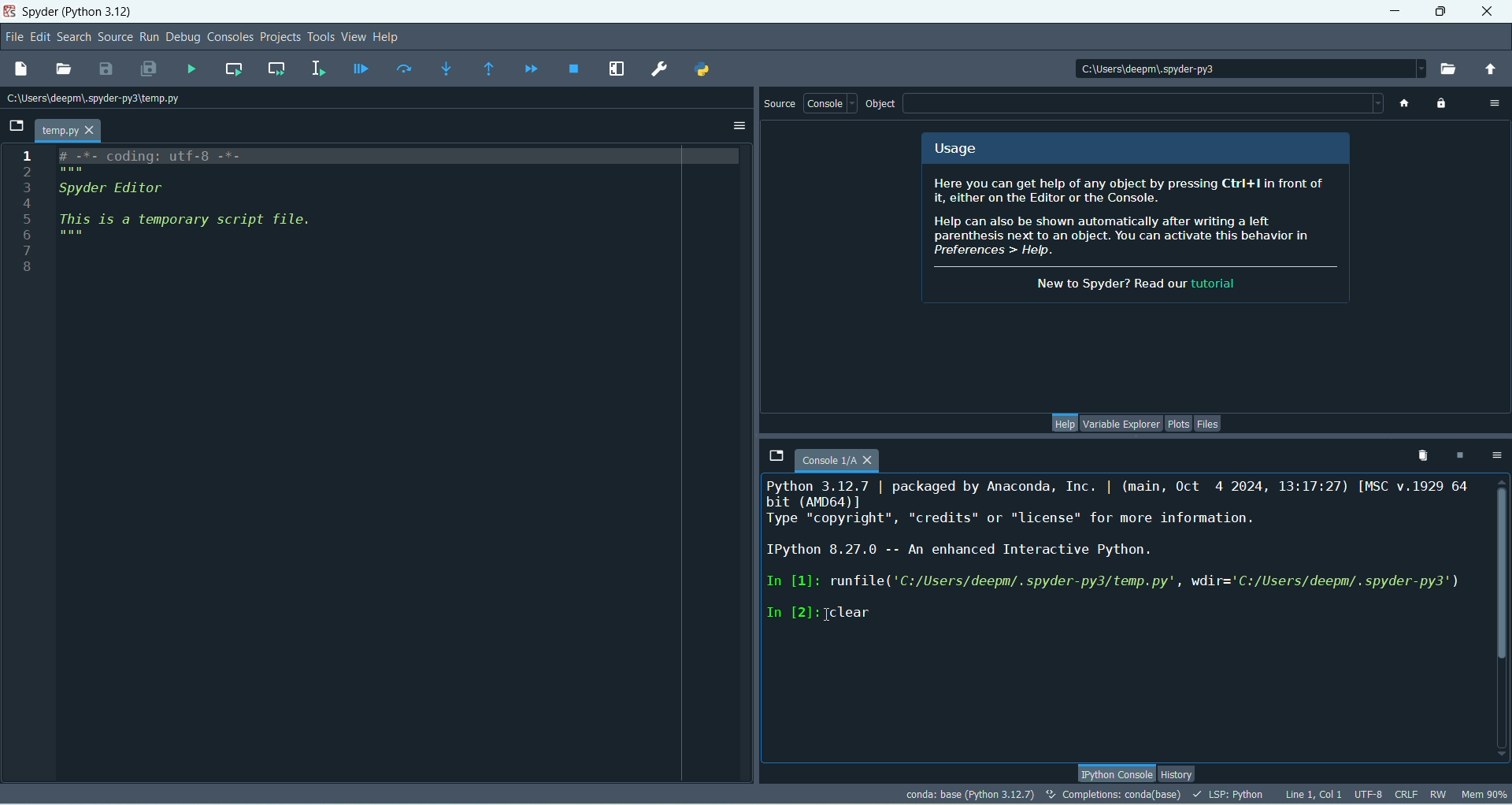 The image size is (1512, 805). Describe the element at coordinates (1121, 536) in the screenshot. I see `console text` at that location.